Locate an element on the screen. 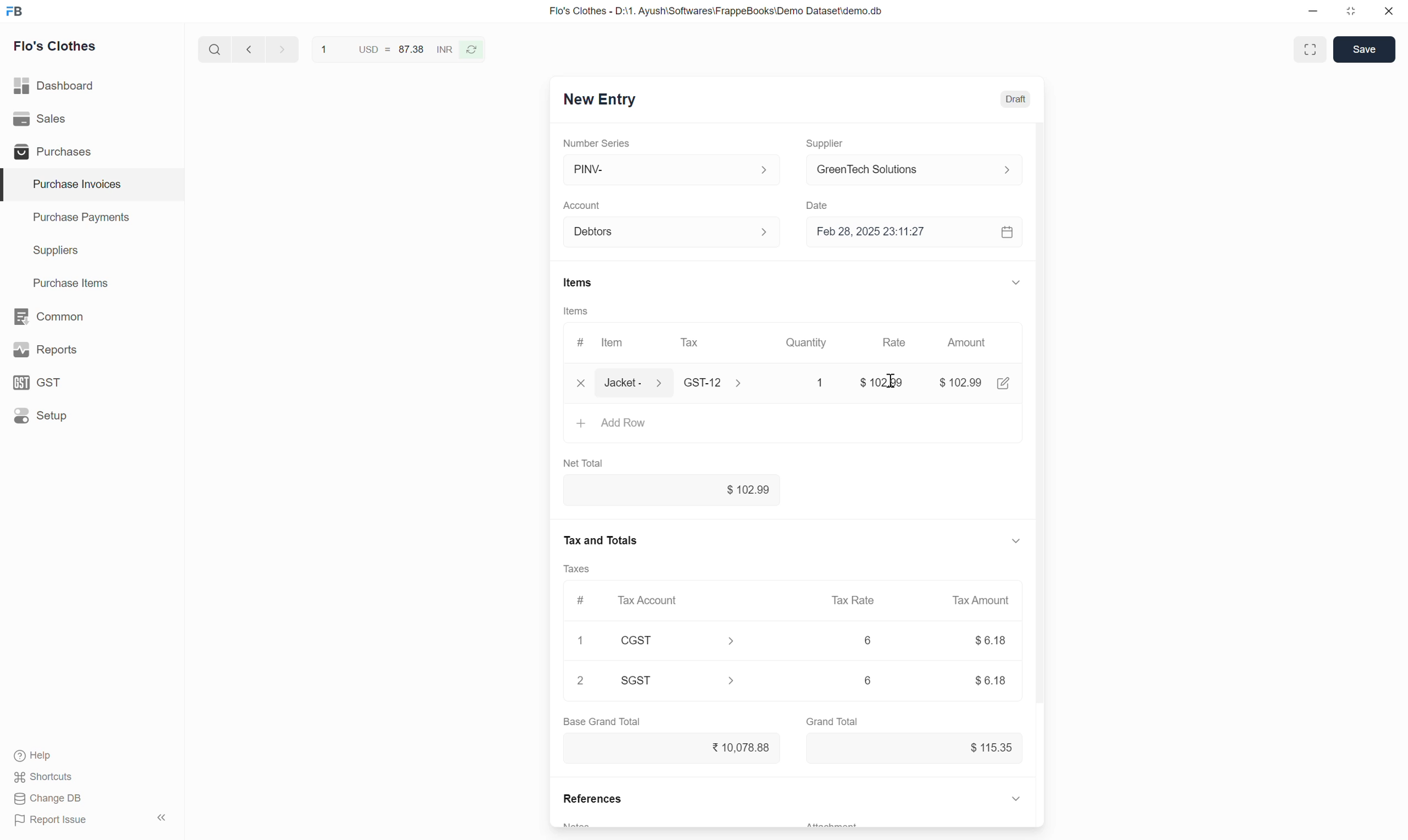 The image size is (1408, 840). Toggle between form and full width is located at coordinates (1311, 49).